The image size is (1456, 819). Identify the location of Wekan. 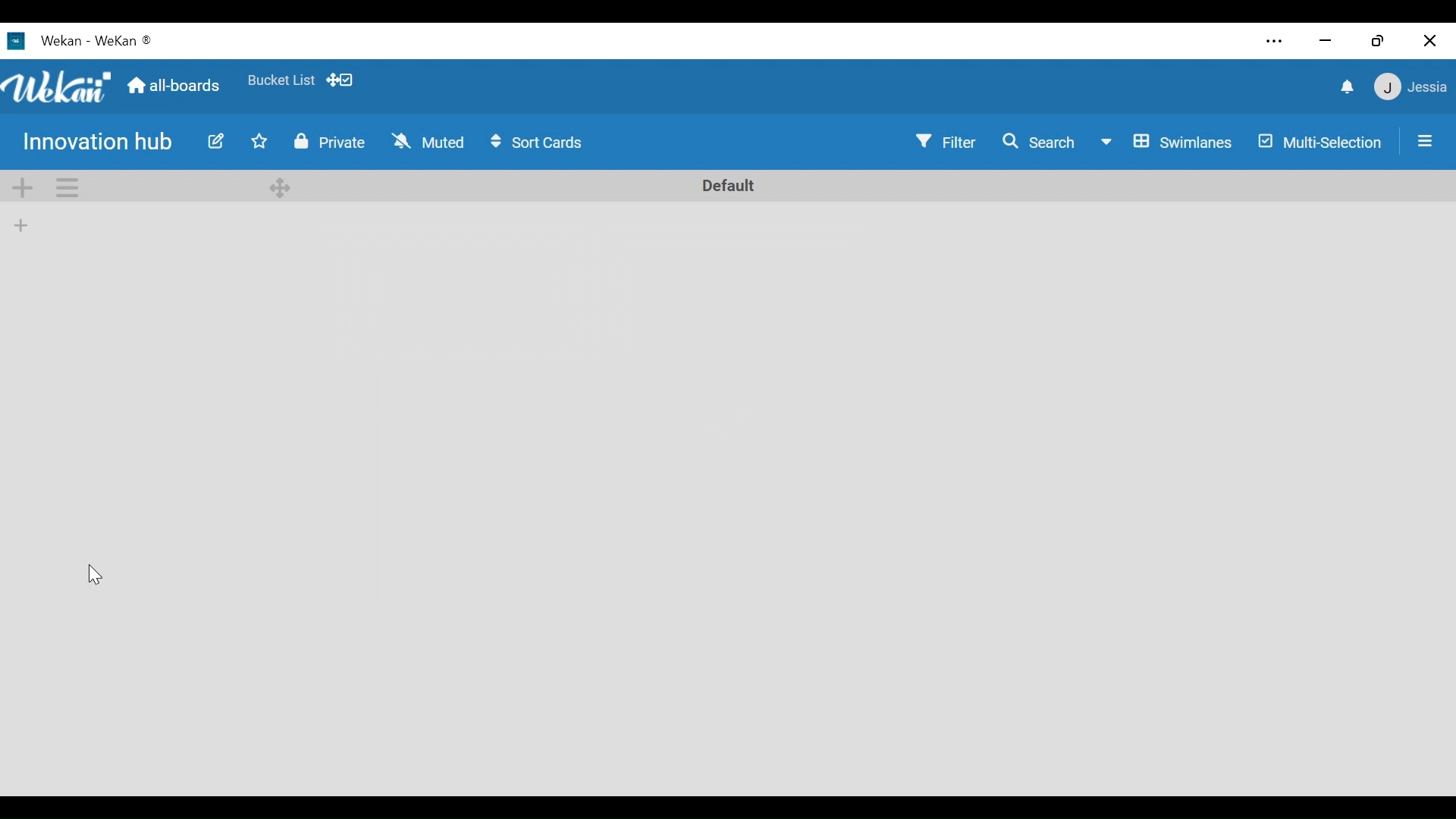
(124, 40).